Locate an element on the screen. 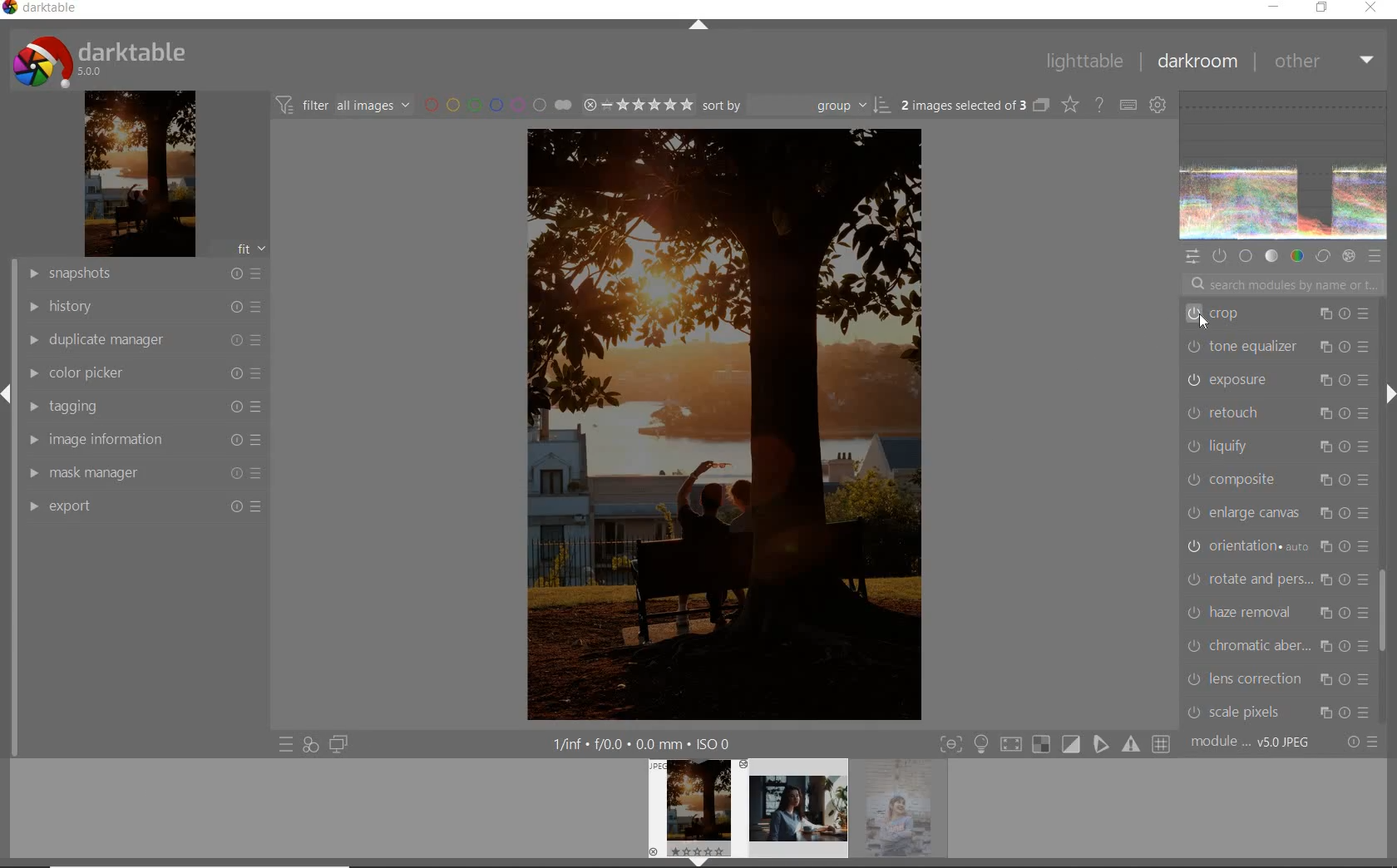 The height and width of the screenshot is (868, 1397). expand/collapse is located at coordinates (1389, 394).